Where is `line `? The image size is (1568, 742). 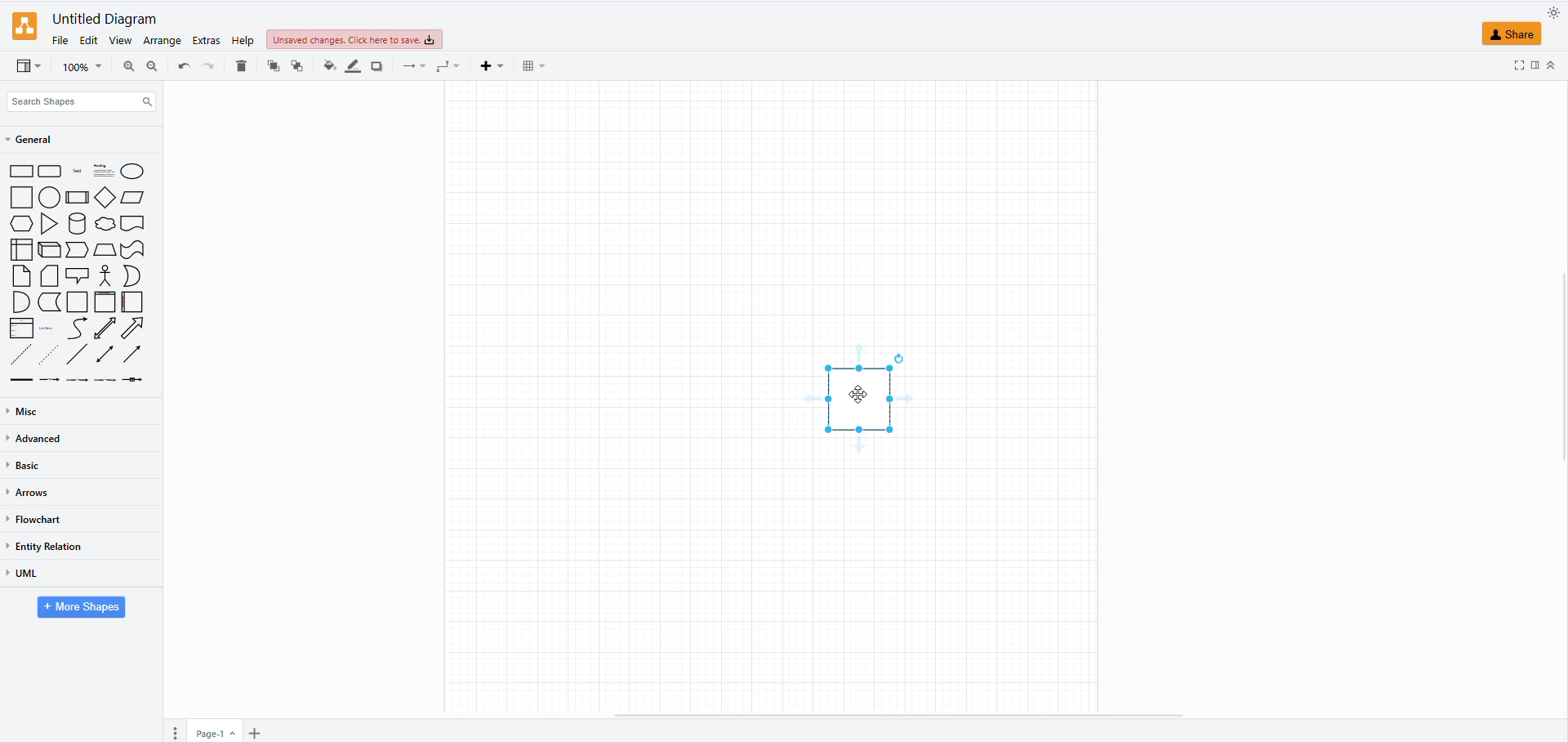
line  is located at coordinates (78, 355).